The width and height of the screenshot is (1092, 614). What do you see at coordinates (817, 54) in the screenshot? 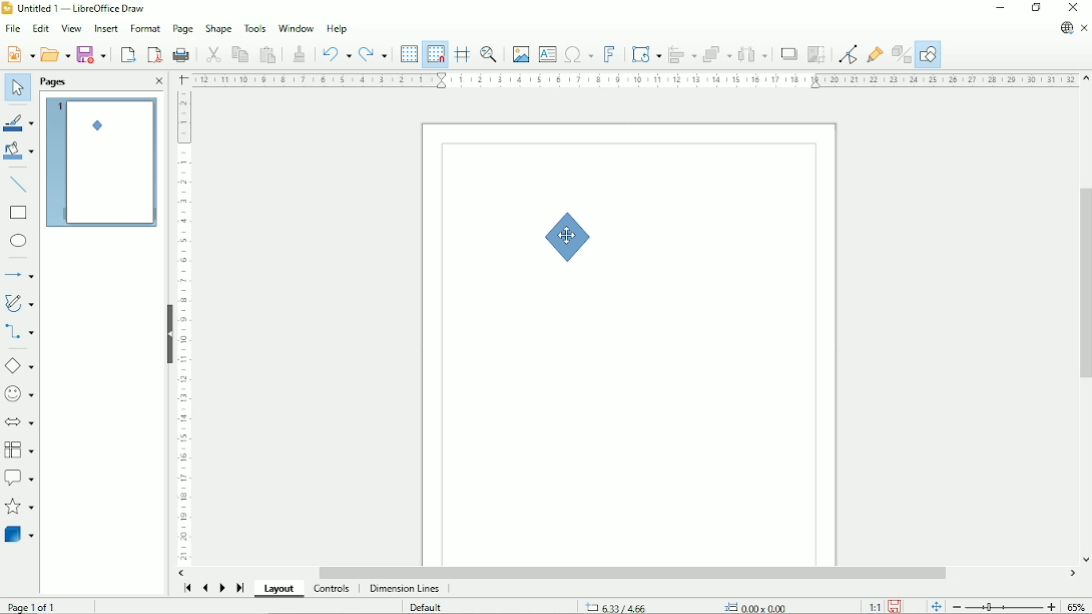
I see `Crop image` at bounding box center [817, 54].